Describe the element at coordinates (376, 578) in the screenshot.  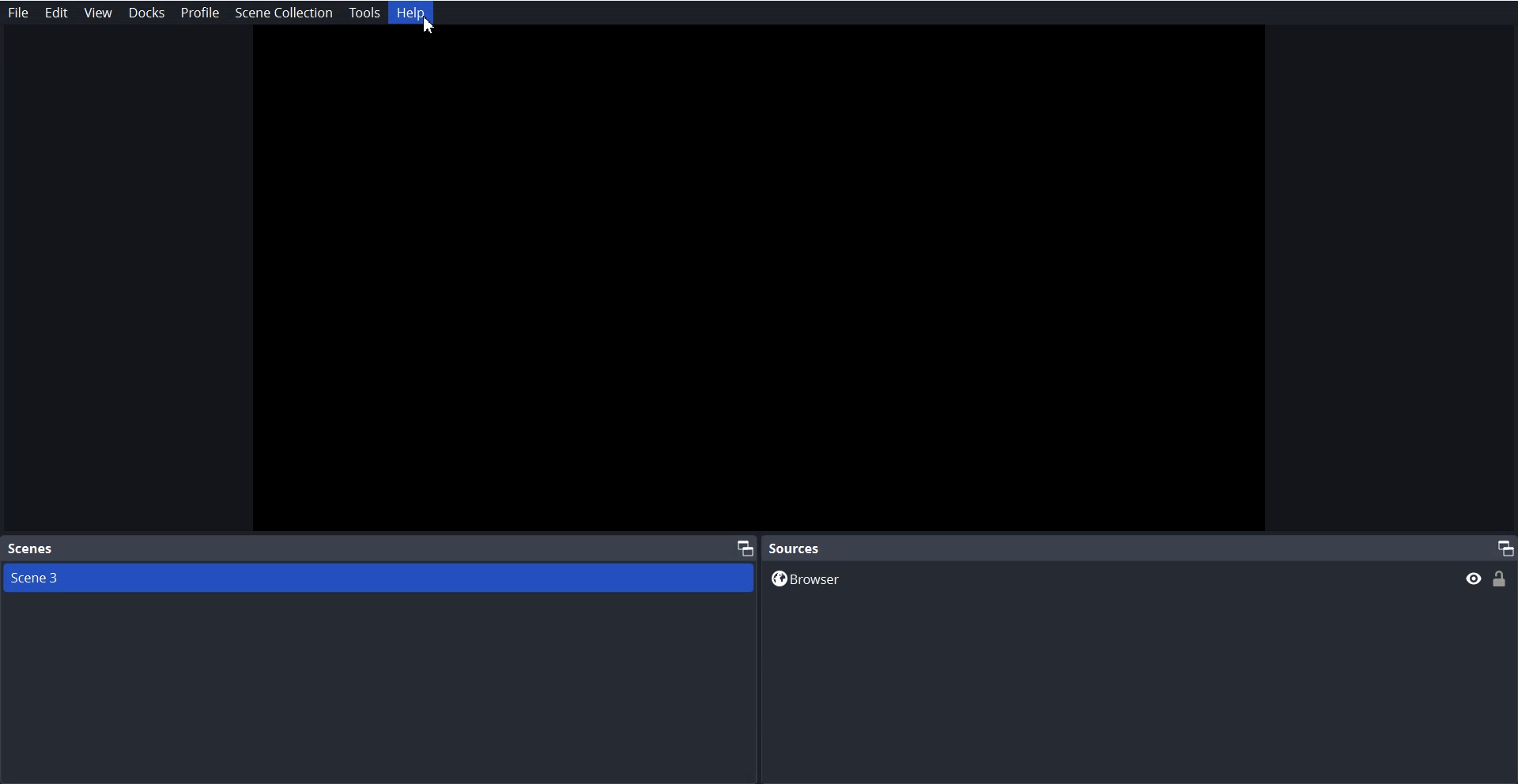
I see `Scene 3` at that location.